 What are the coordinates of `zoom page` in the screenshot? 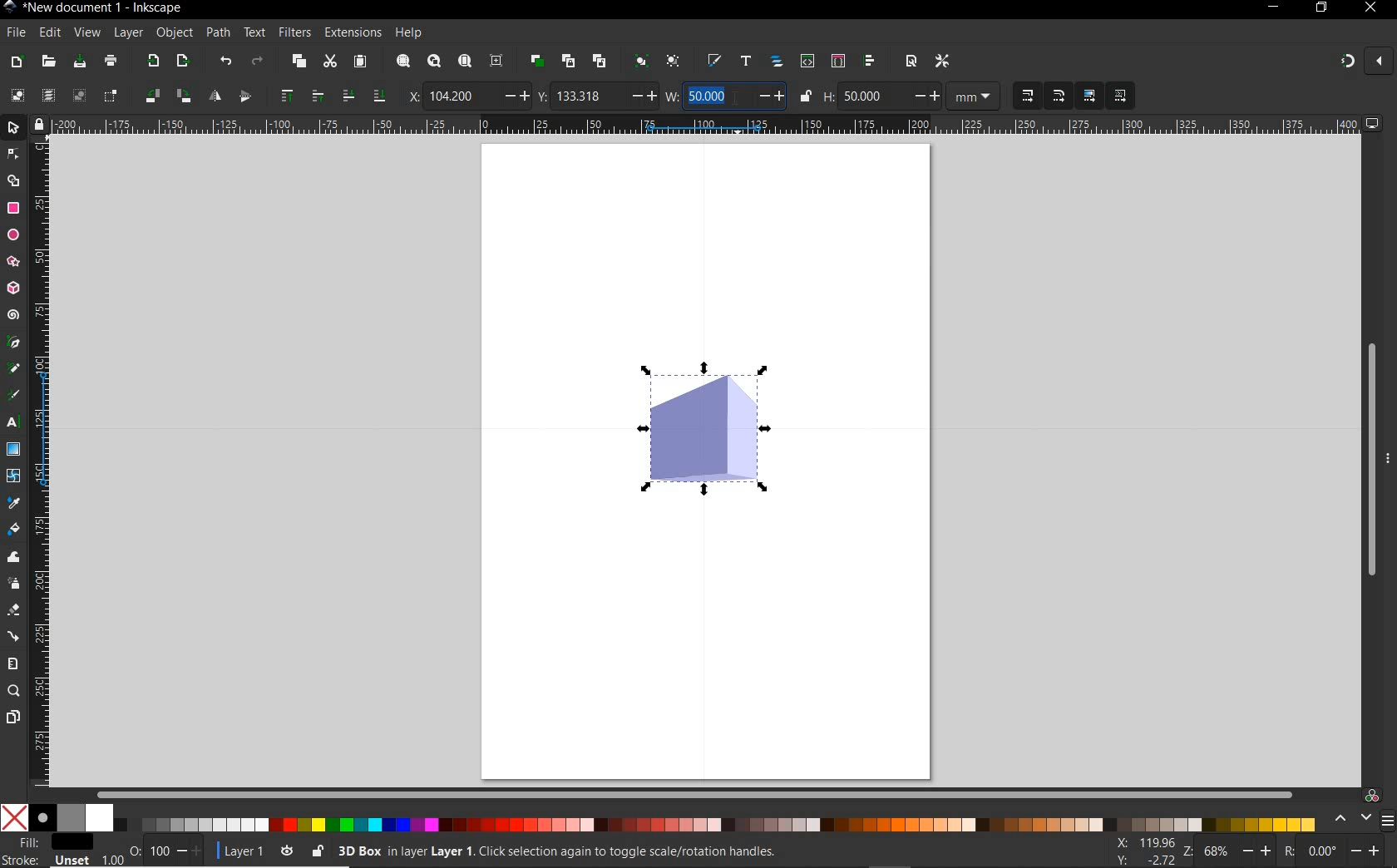 It's located at (464, 60).